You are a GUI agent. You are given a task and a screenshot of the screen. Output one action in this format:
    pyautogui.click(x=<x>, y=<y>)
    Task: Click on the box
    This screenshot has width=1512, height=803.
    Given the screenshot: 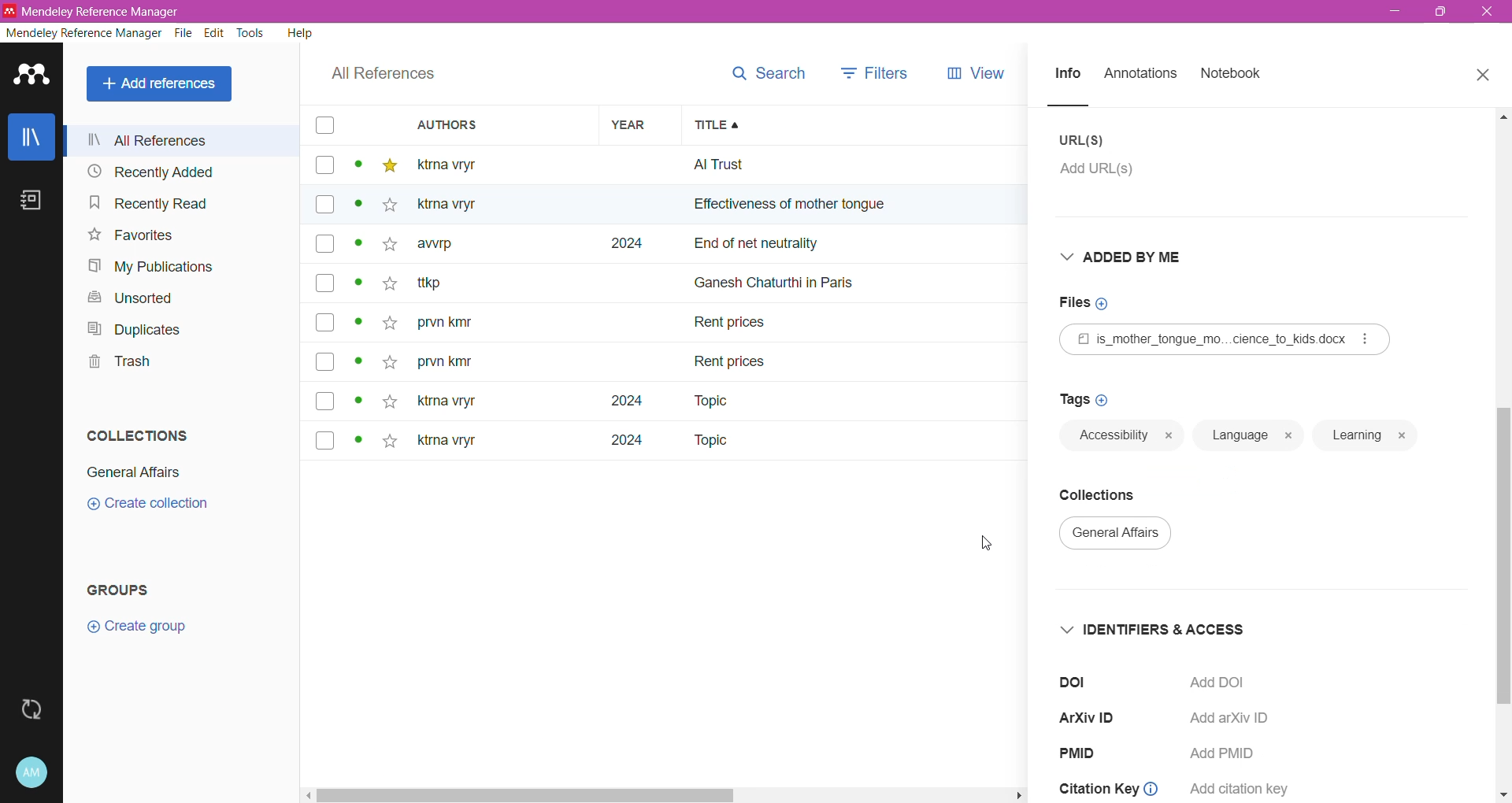 What is the action you would take?
    pyautogui.click(x=323, y=126)
    